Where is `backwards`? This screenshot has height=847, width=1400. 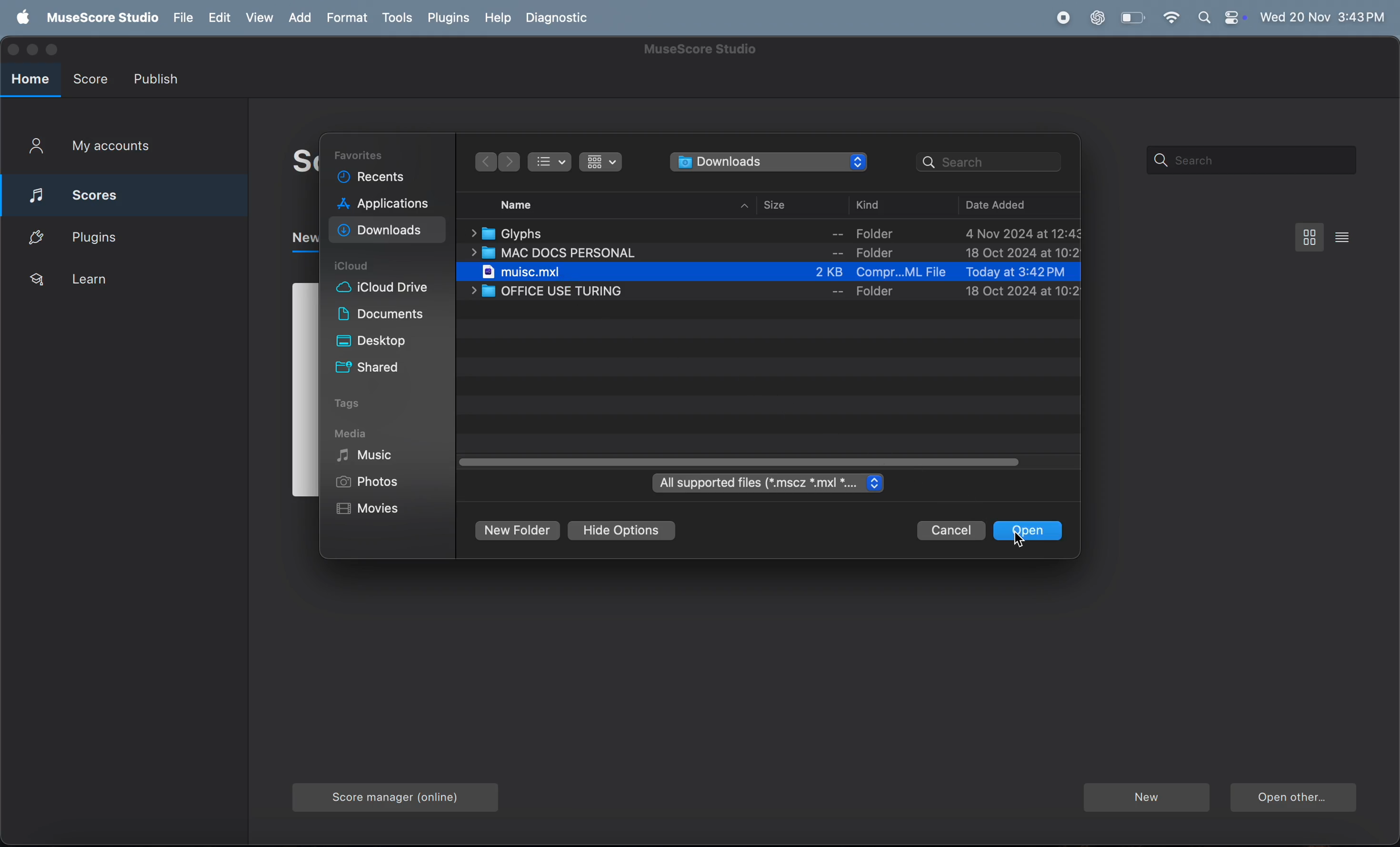
backwards is located at coordinates (510, 162).